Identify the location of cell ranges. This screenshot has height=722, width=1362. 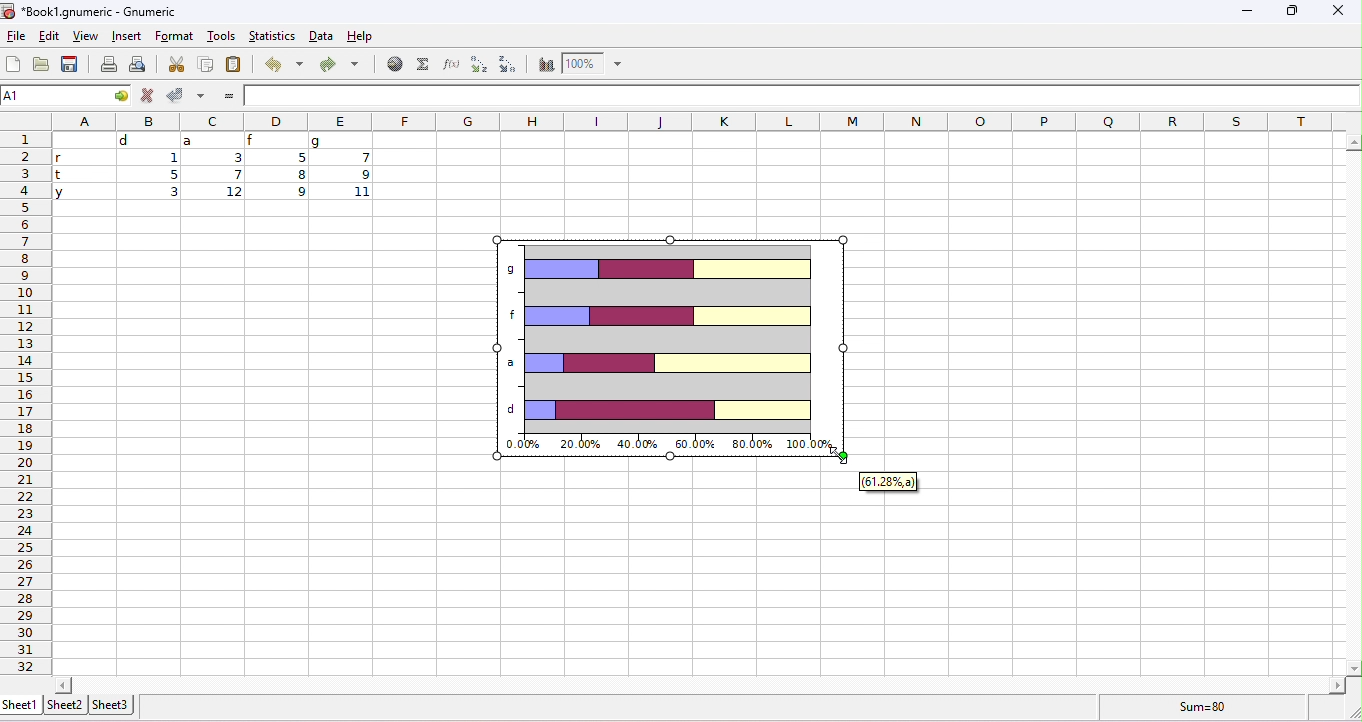
(216, 171).